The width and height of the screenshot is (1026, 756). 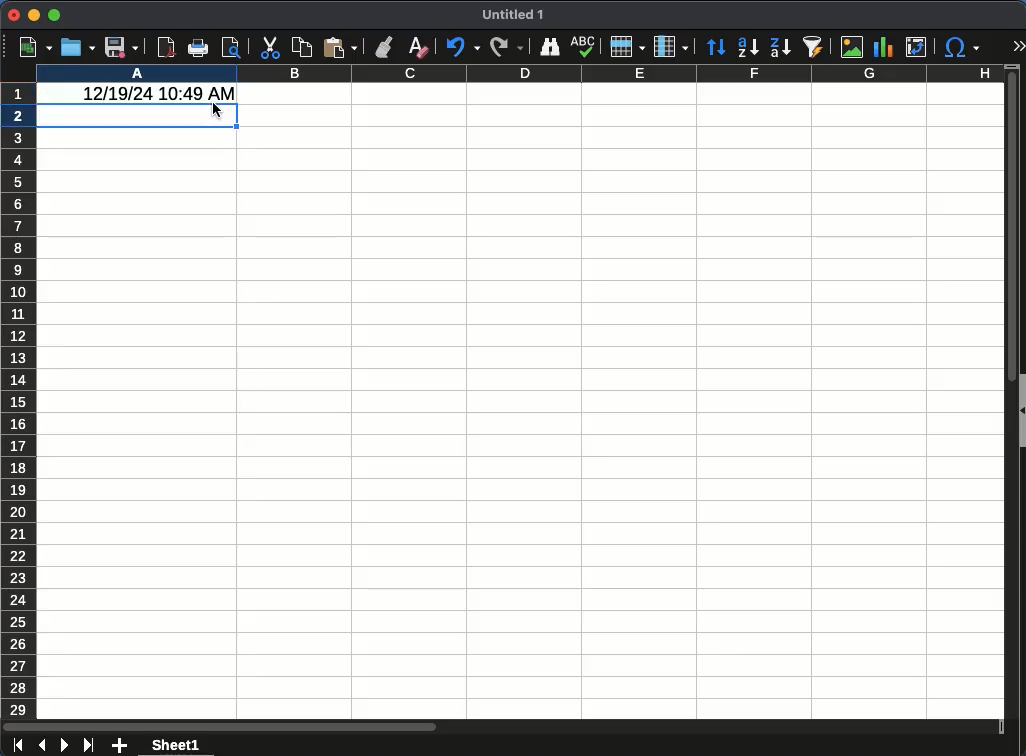 What do you see at coordinates (154, 93) in the screenshot?
I see `12/19/24 10:49 AM` at bounding box center [154, 93].